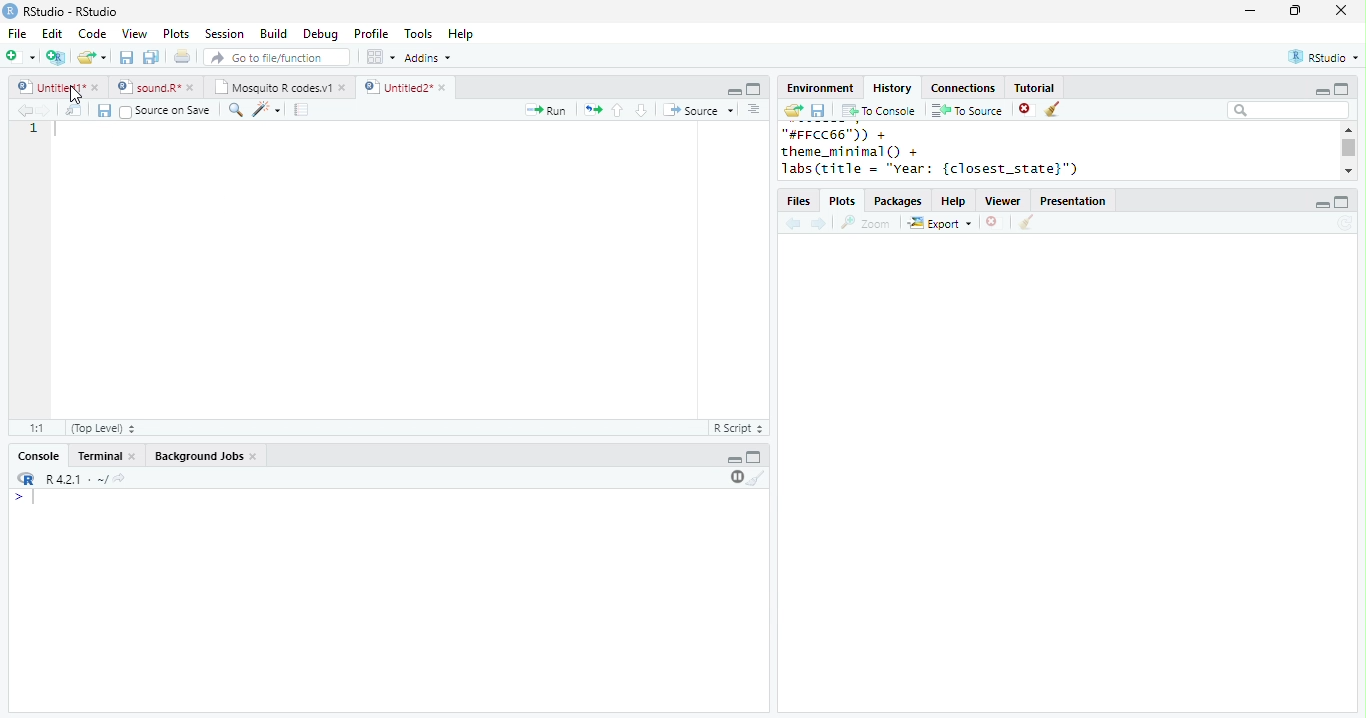 The width and height of the screenshot is (1366, 718). I want to click on console, so click(37, 457).